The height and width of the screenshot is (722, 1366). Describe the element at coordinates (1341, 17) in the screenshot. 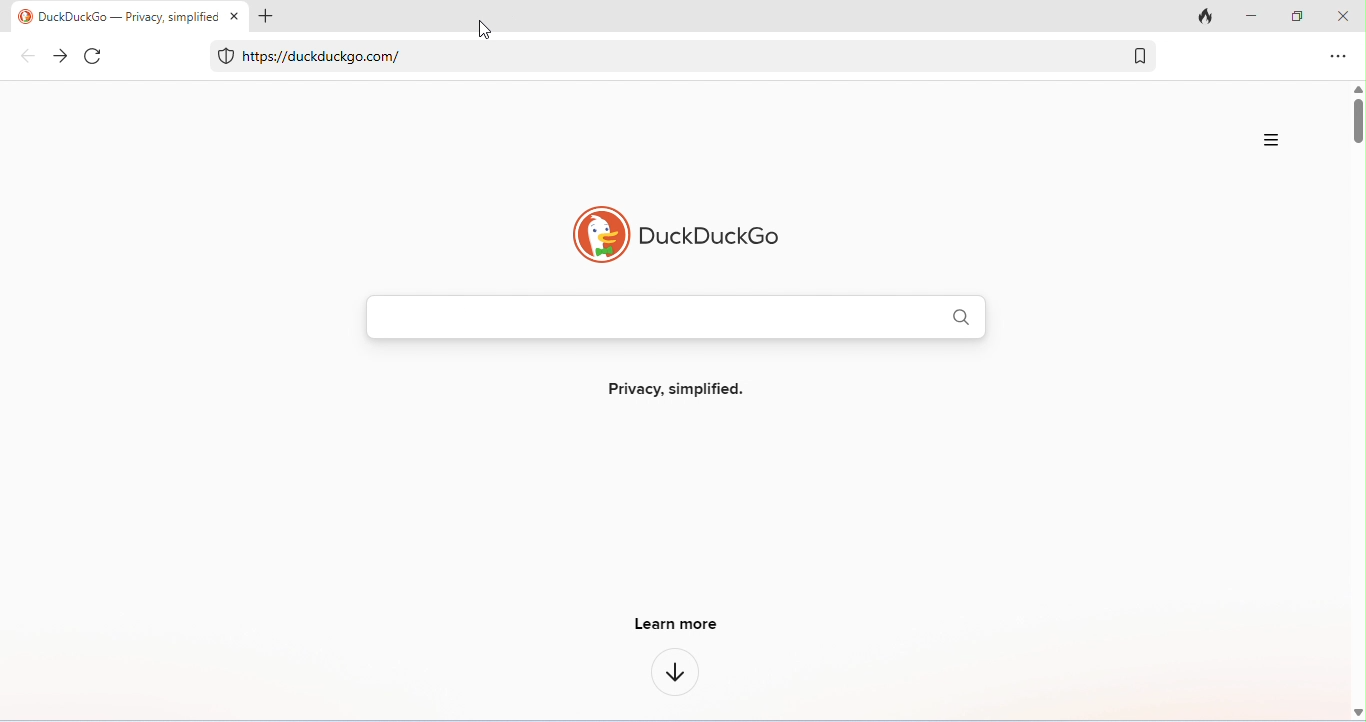

I see `close` at that location.